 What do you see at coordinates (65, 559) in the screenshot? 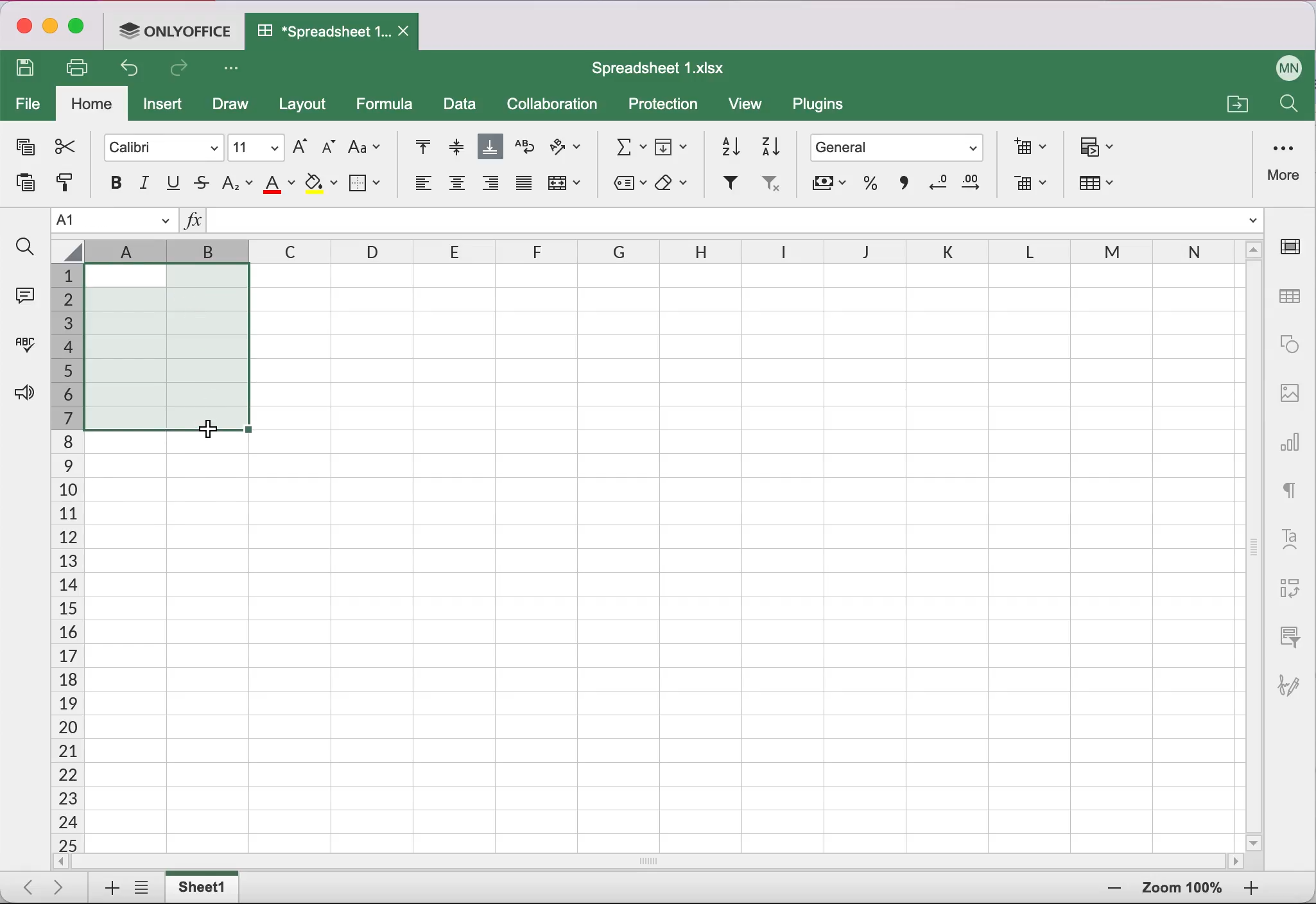
I see `number of cells` at bounding box center [65, 559].